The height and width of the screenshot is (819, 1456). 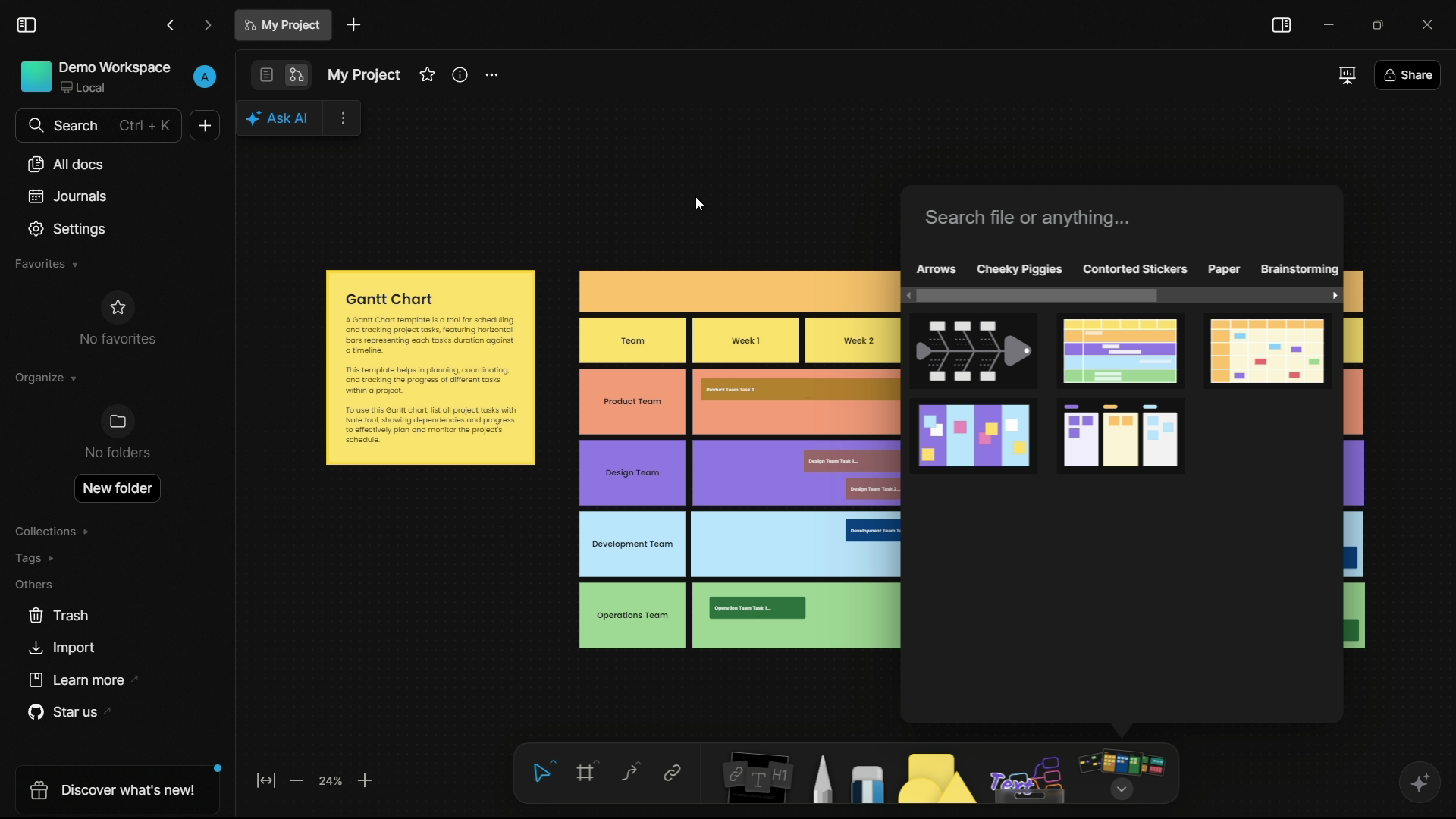 I want to click on fit to screen, so click(x=265, y=783).